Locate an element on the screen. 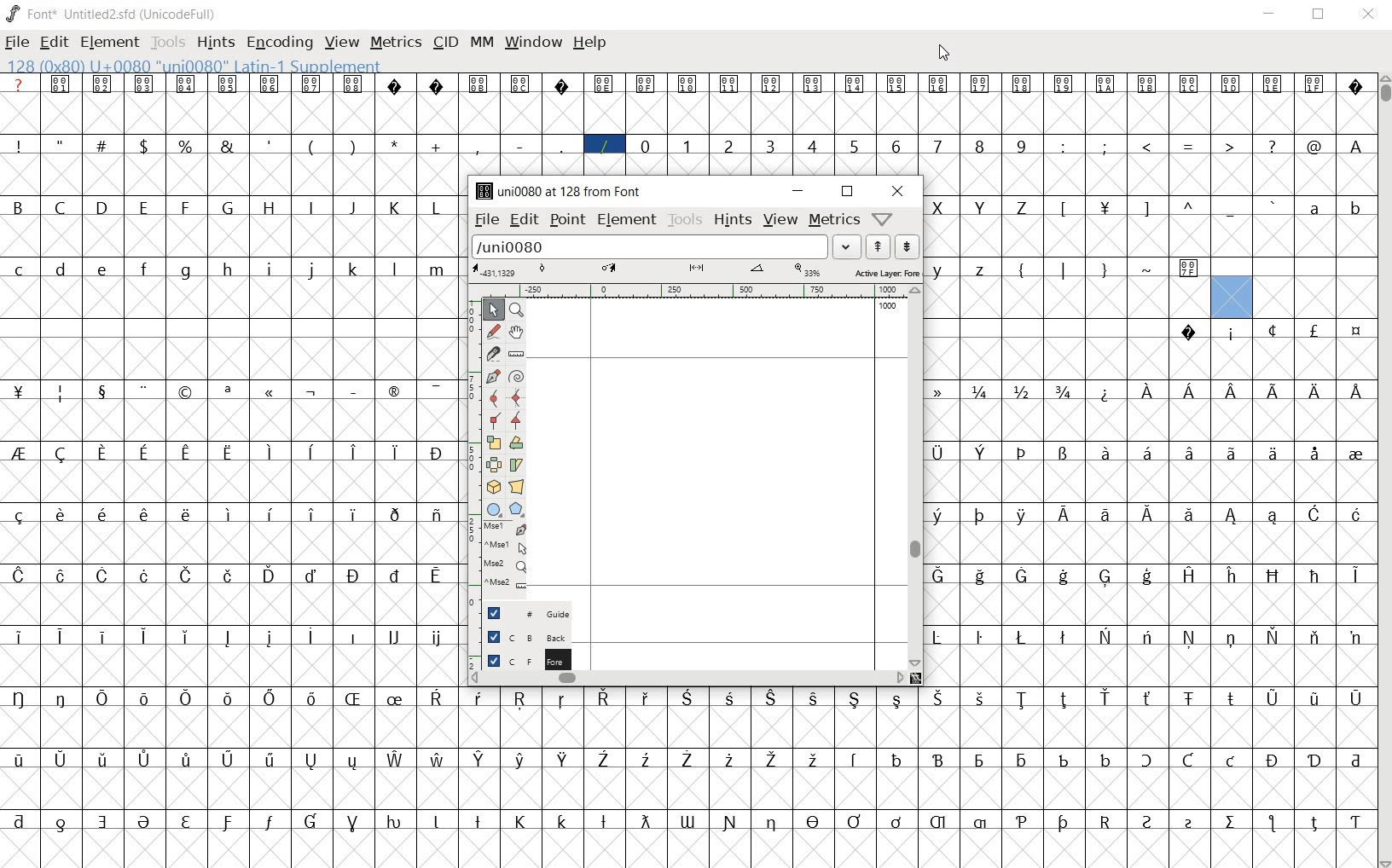 The width and height of the screenshot is (1392, 868). glyph is located at coordinates (937, 454).